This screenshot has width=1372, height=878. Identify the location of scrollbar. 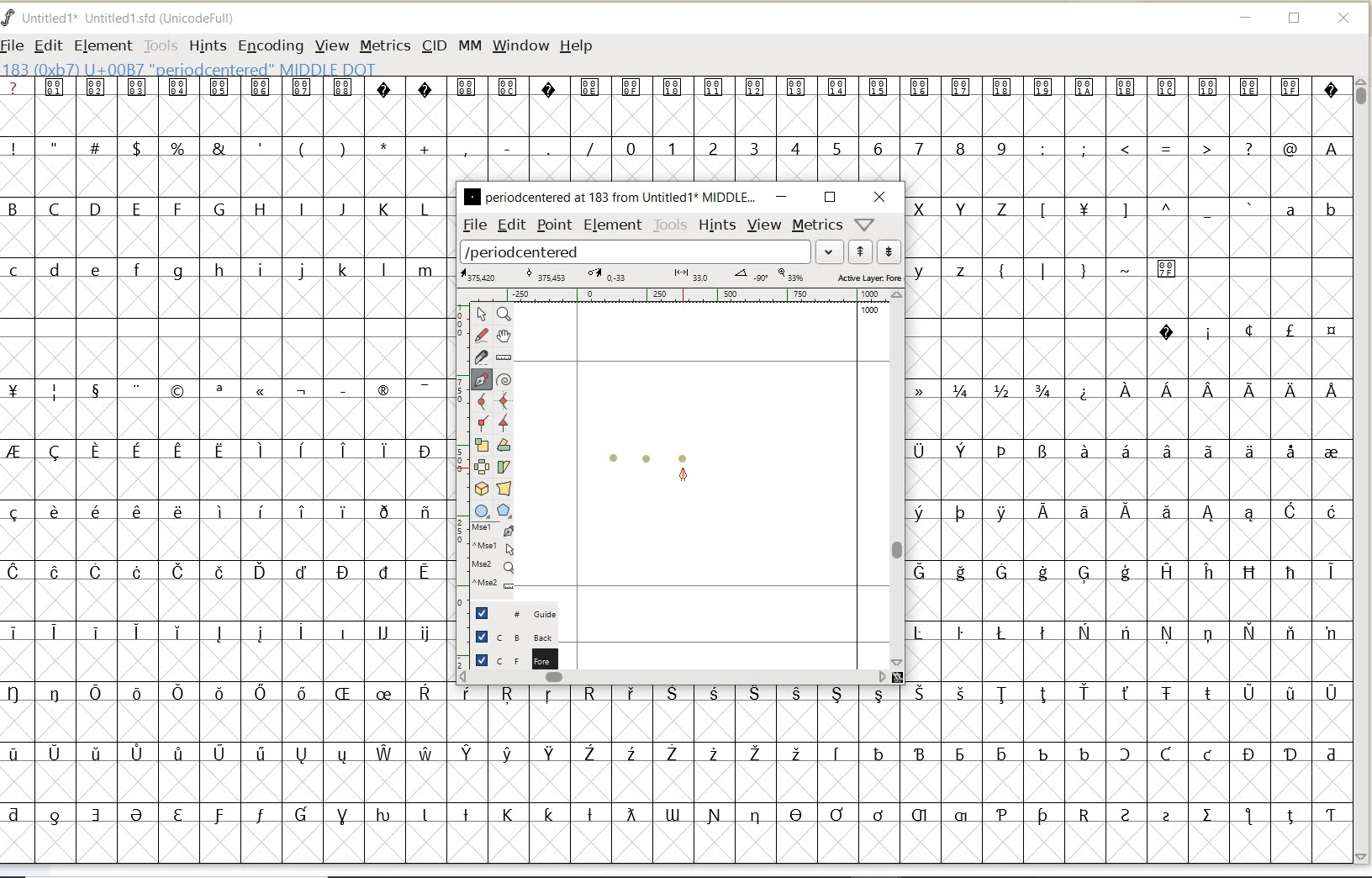
(673, 677).